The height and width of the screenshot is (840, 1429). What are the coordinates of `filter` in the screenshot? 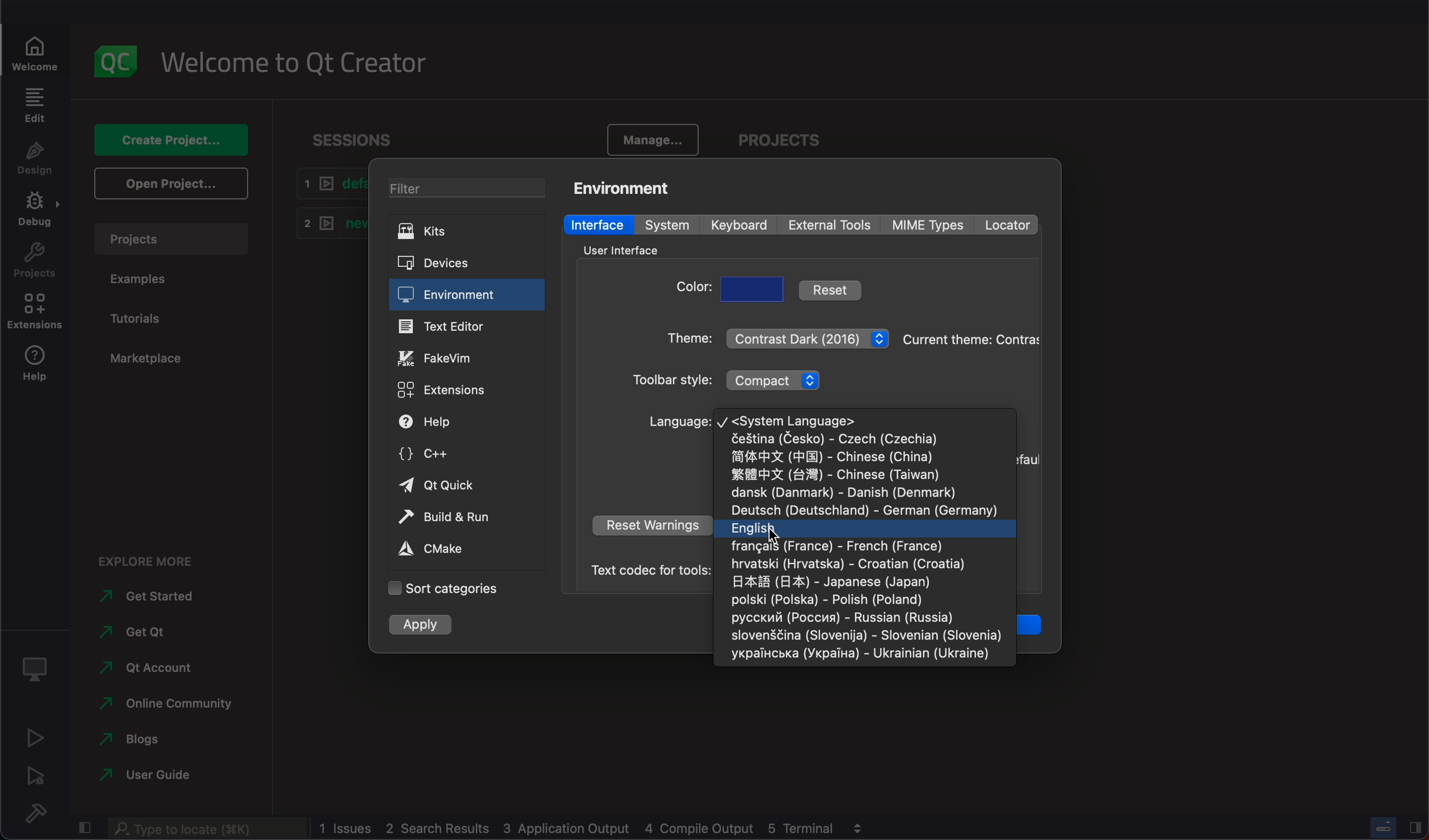 It's located at (466, 188).